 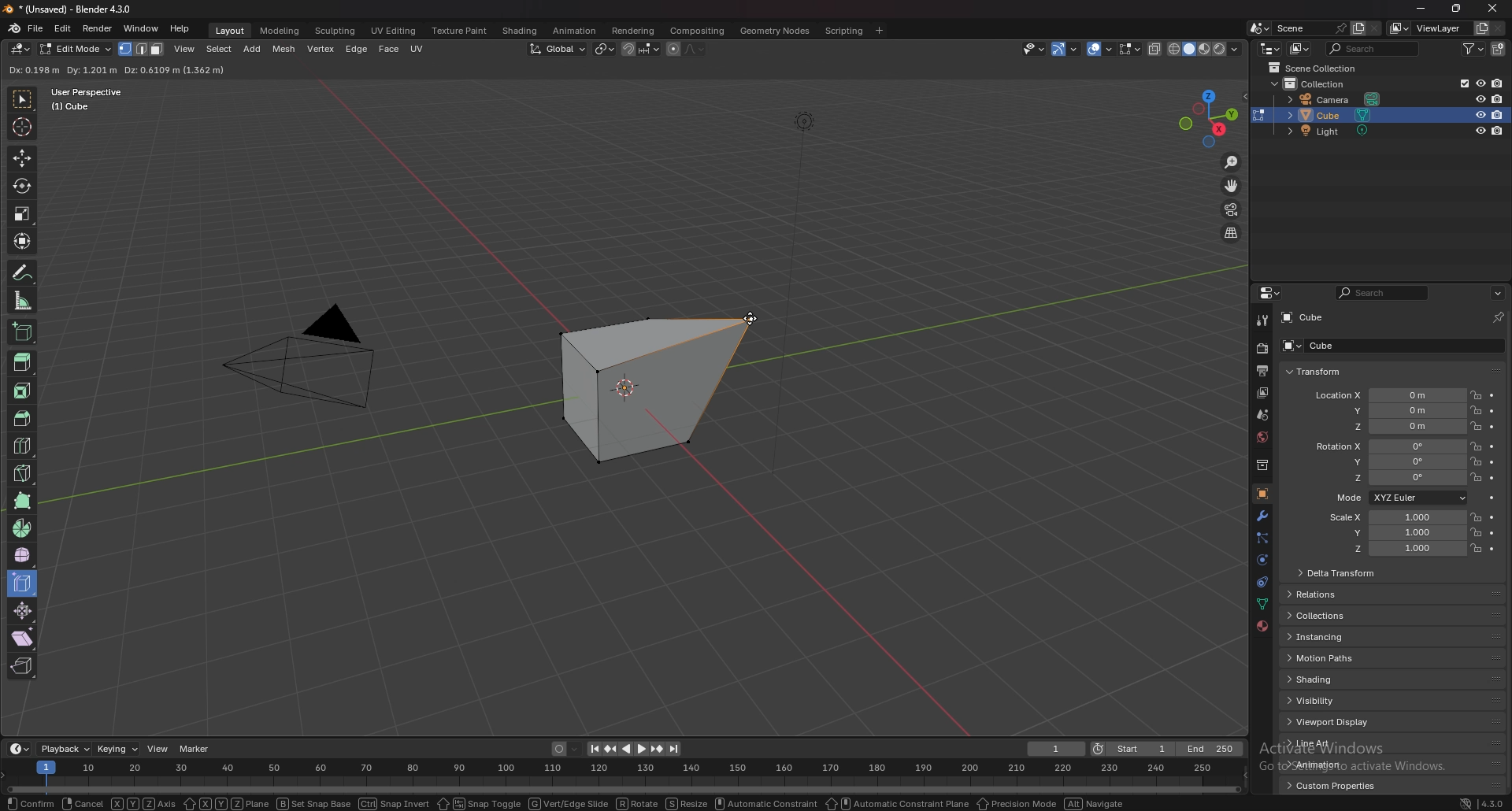 I want to click on shading, so click(x=1323, y=680).